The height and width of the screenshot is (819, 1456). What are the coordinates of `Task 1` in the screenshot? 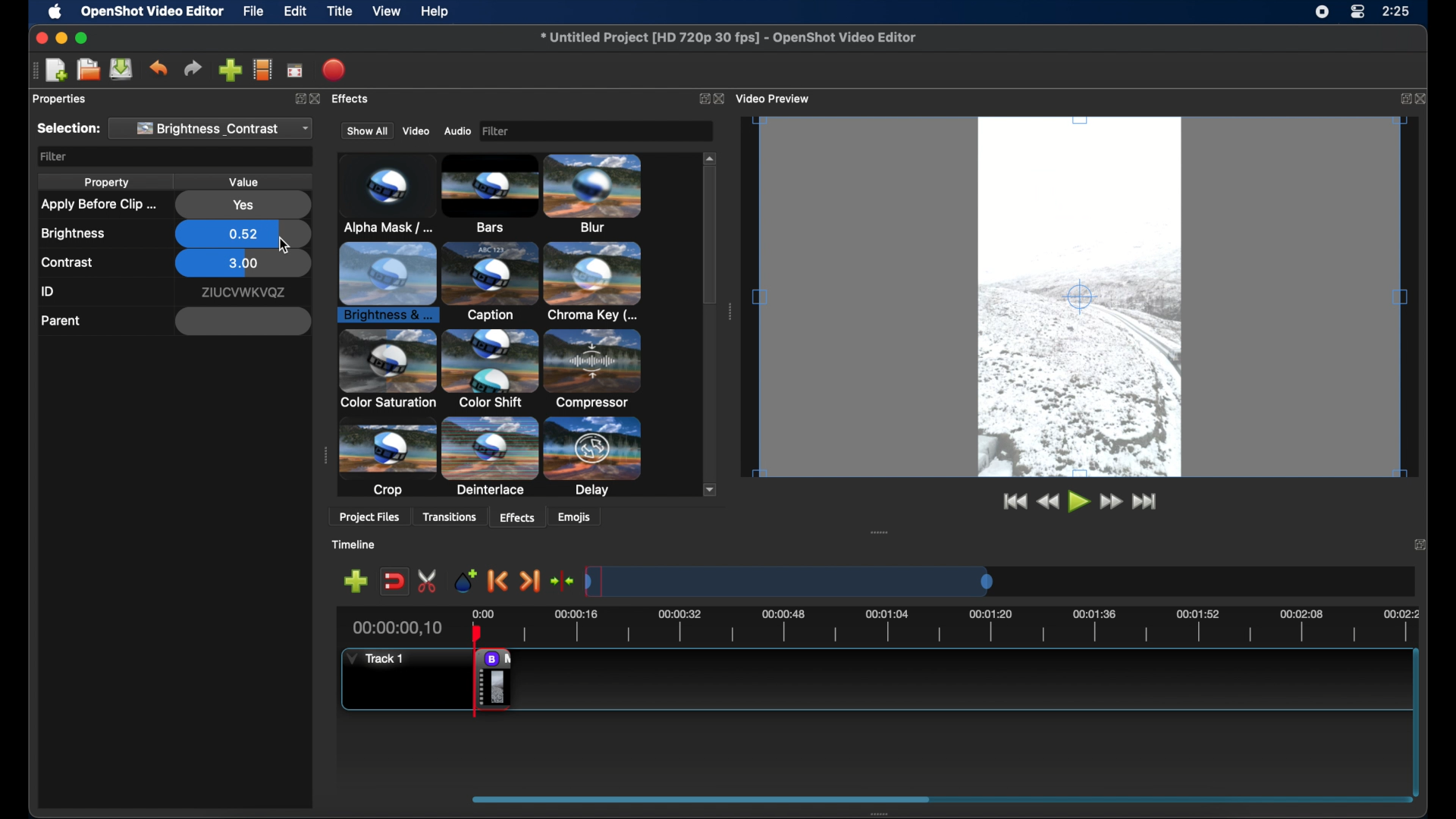 It's located at (381, 660).